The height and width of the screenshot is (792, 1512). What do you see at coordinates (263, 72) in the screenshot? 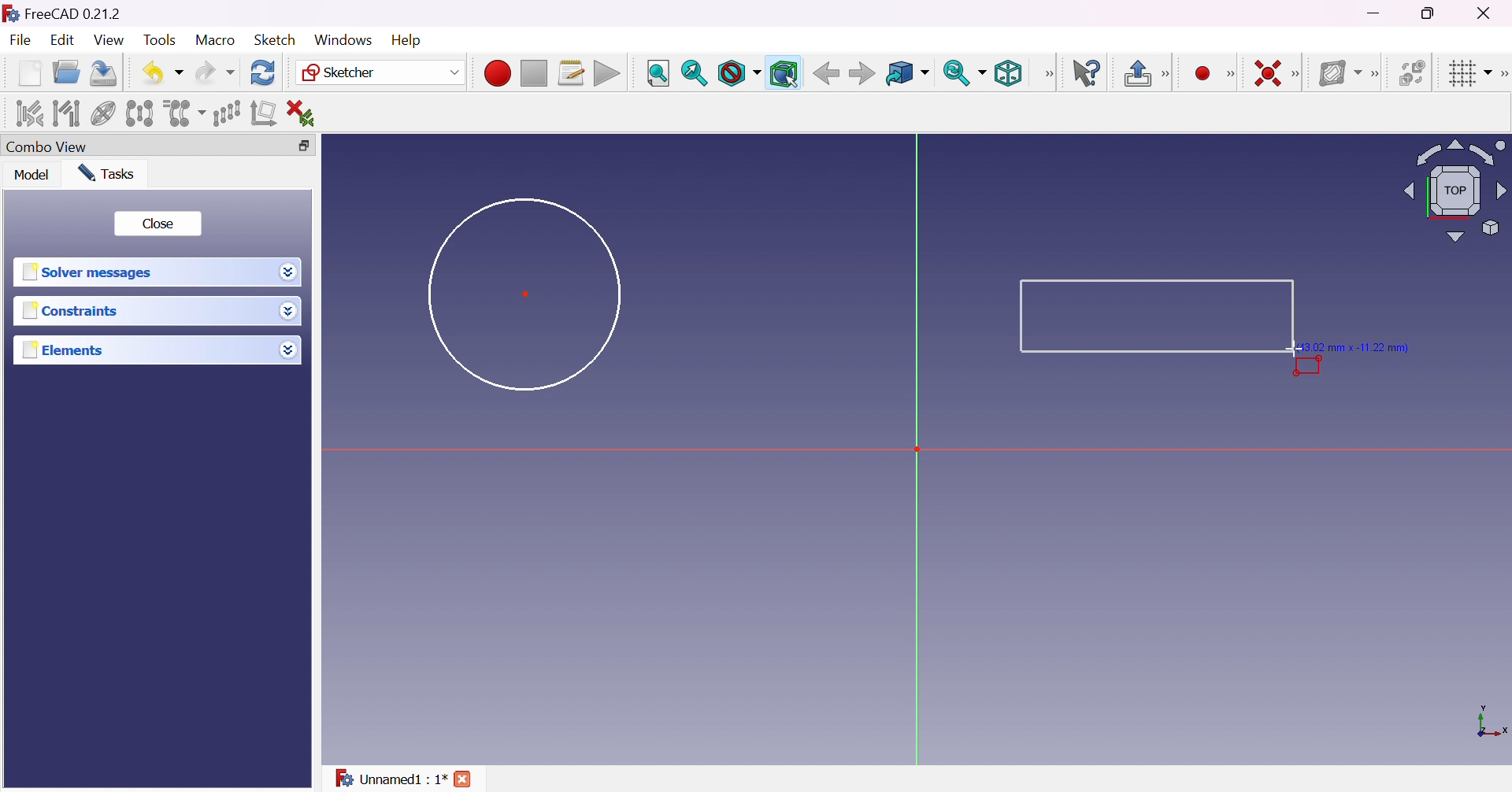
I see `Refresh` at bounding box center [263, 72].